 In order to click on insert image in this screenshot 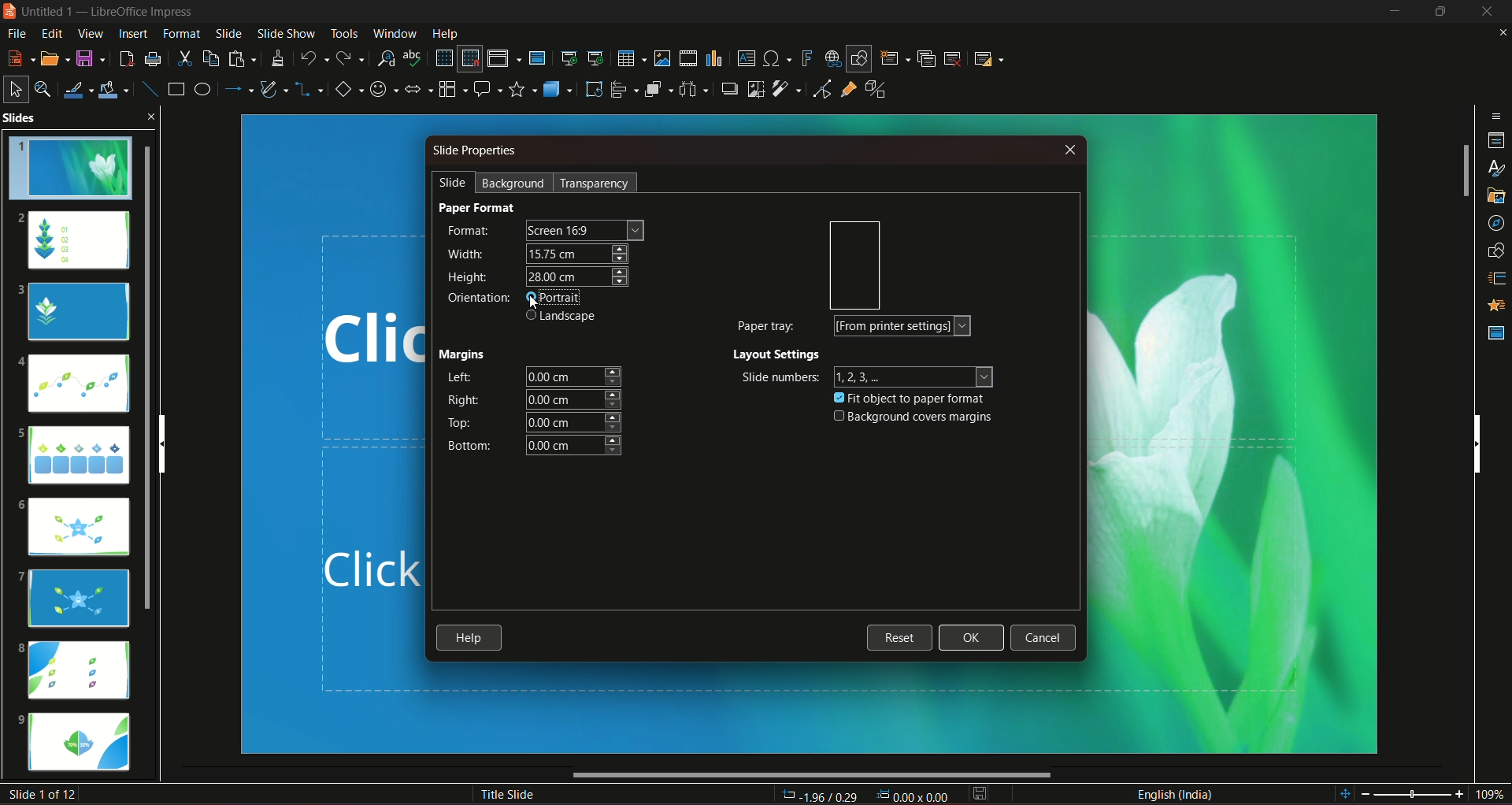, I will do `click(661, 58)`.